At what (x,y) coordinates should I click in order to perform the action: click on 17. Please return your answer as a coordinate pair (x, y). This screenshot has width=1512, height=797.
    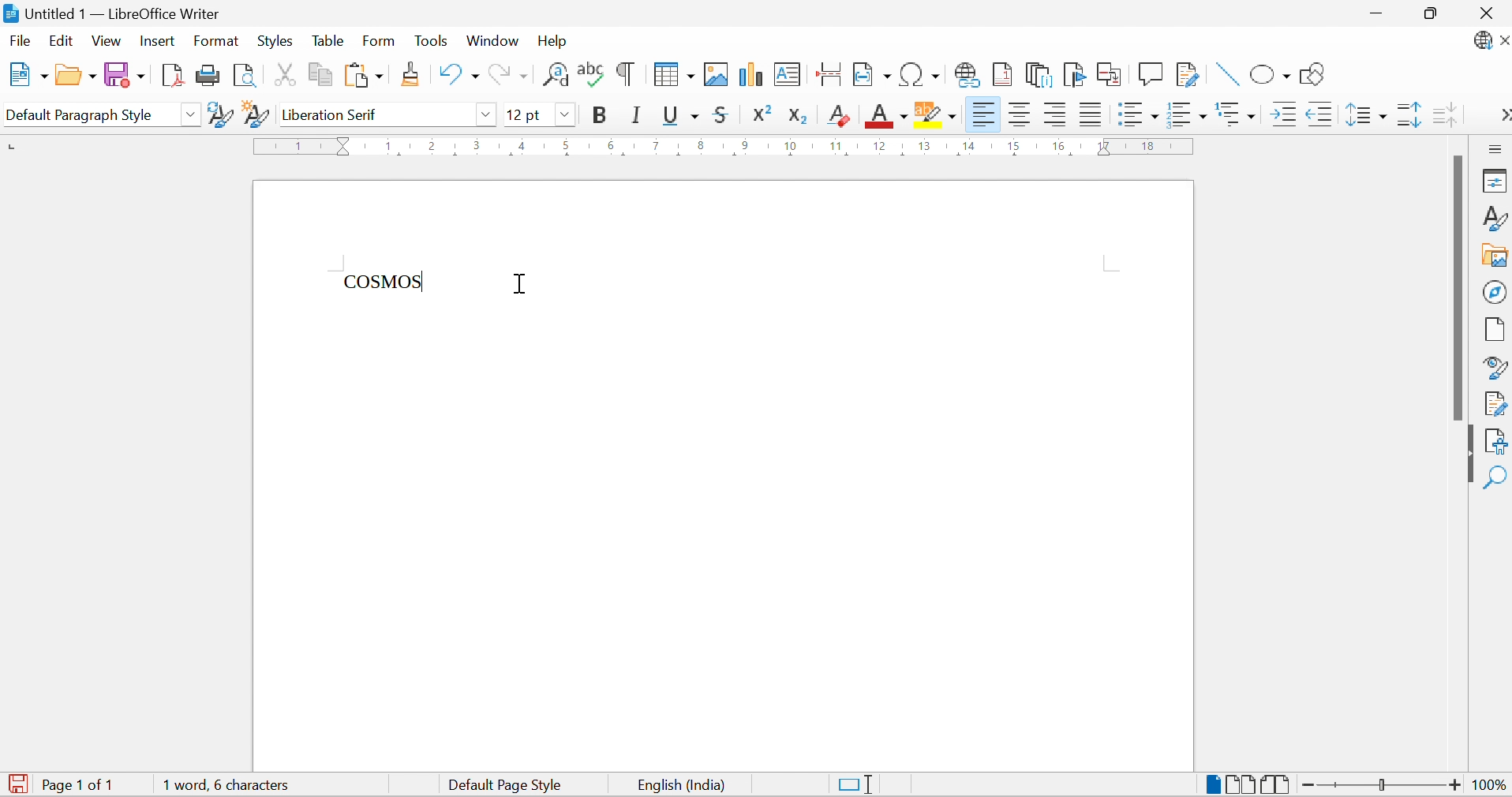
    Looking at the image, I should click on (1105, 146).